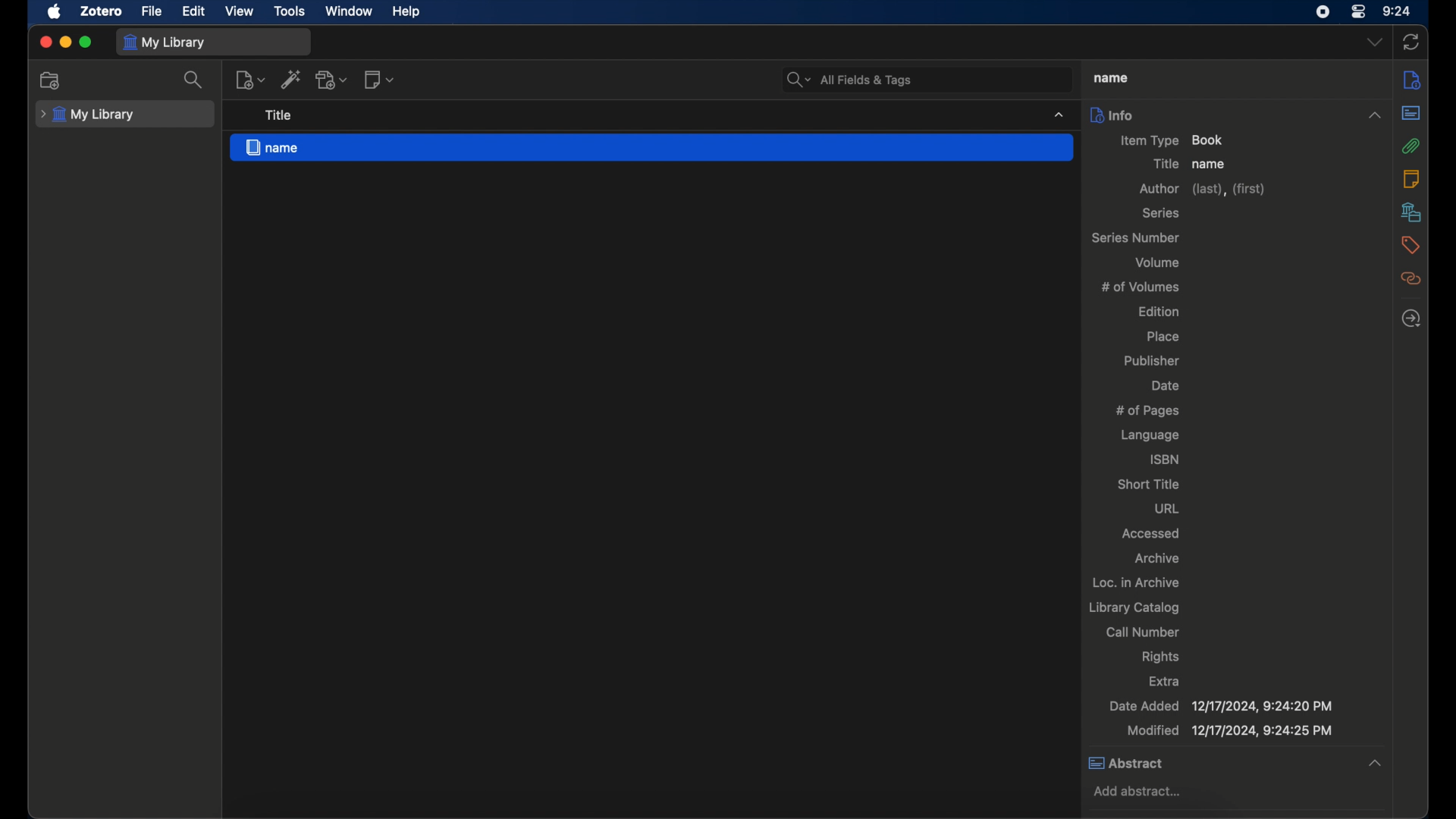  I want to click on add items, so click(291, 79).